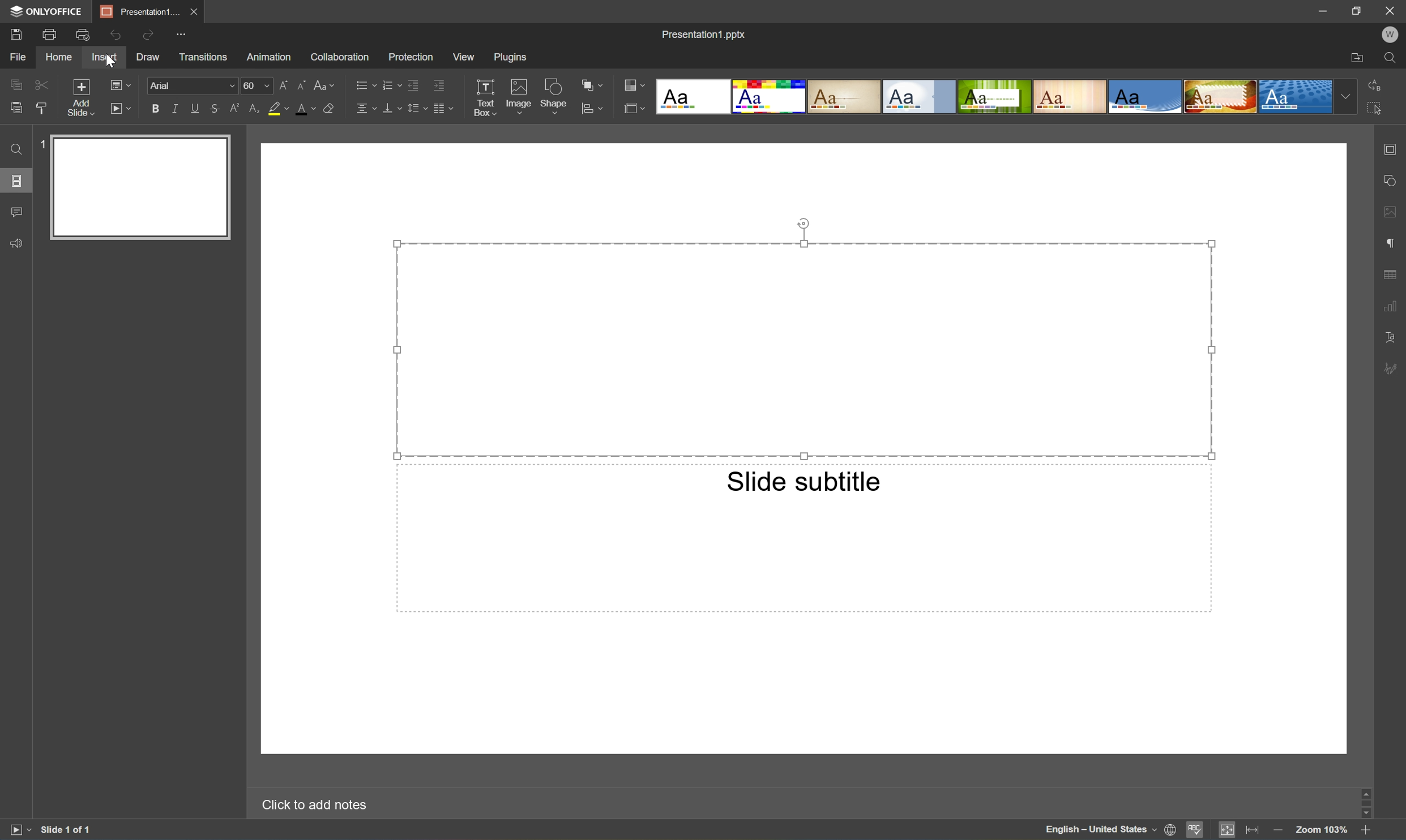 The width and height of the screenshot is (1406, 840). I want to click on Change color theme, so click(635, 84).